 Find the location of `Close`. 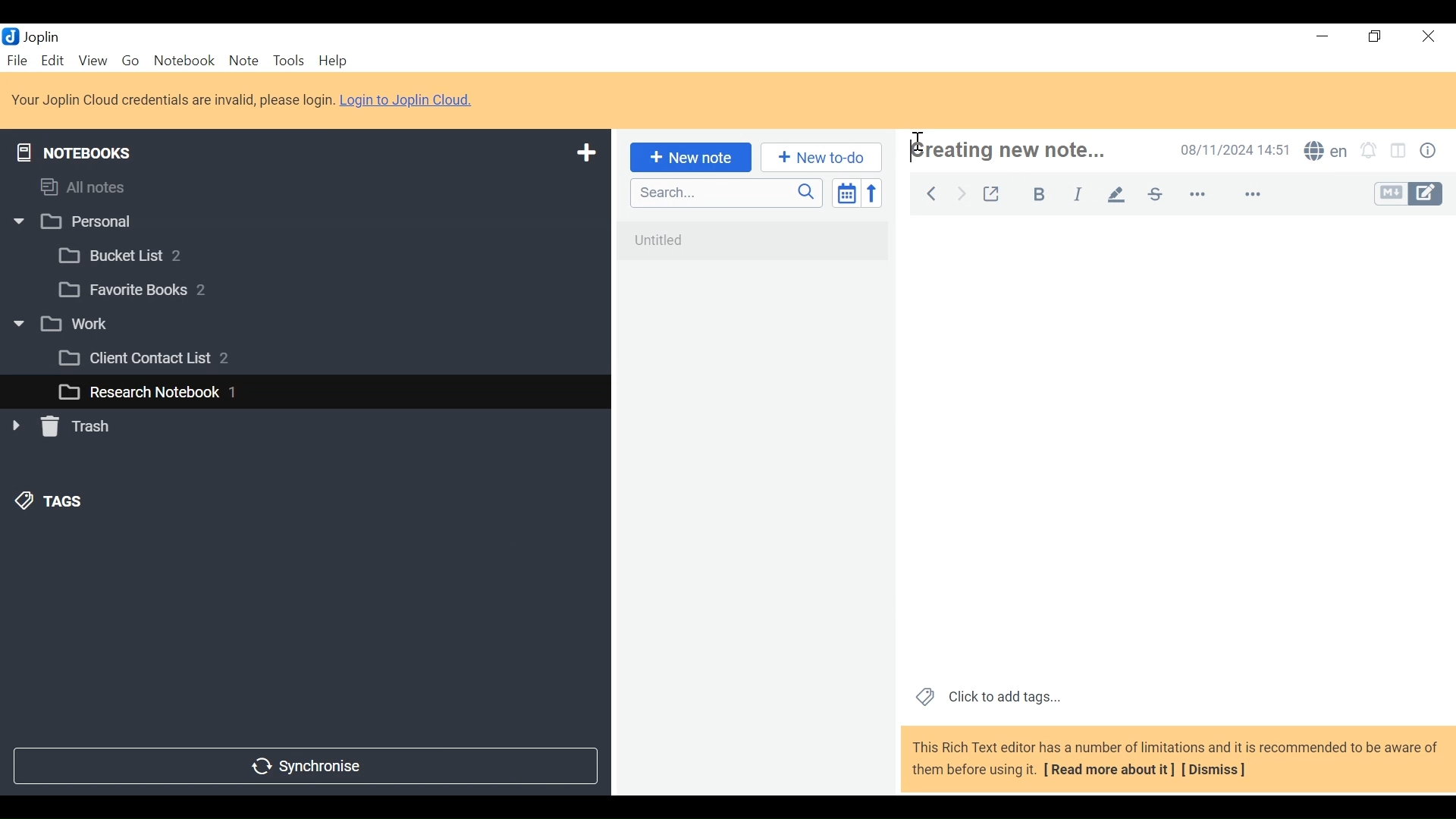

Close is located at coordinates (1426, 37).